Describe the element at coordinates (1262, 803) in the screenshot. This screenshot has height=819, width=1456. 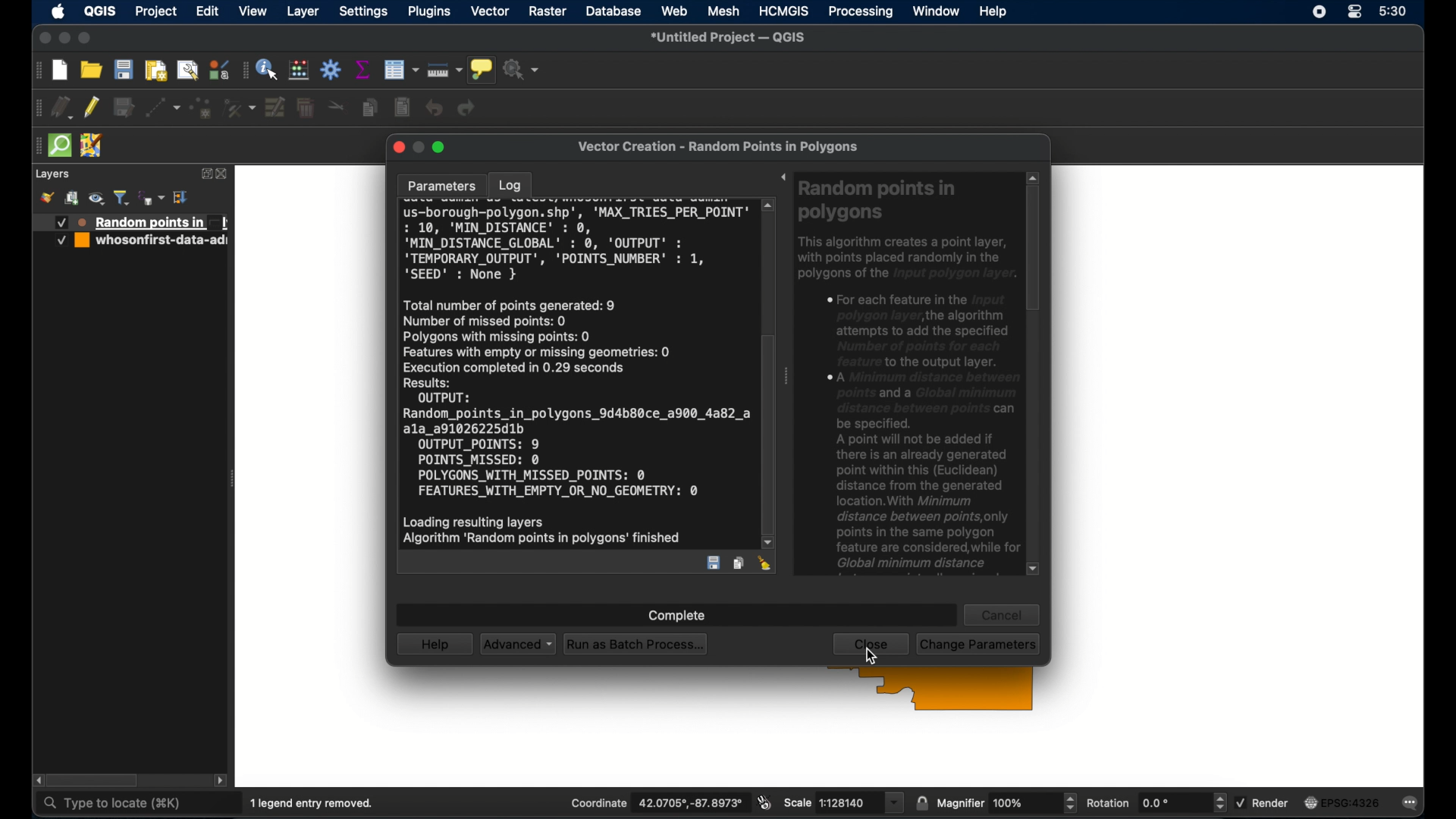
I see `render` at that location.